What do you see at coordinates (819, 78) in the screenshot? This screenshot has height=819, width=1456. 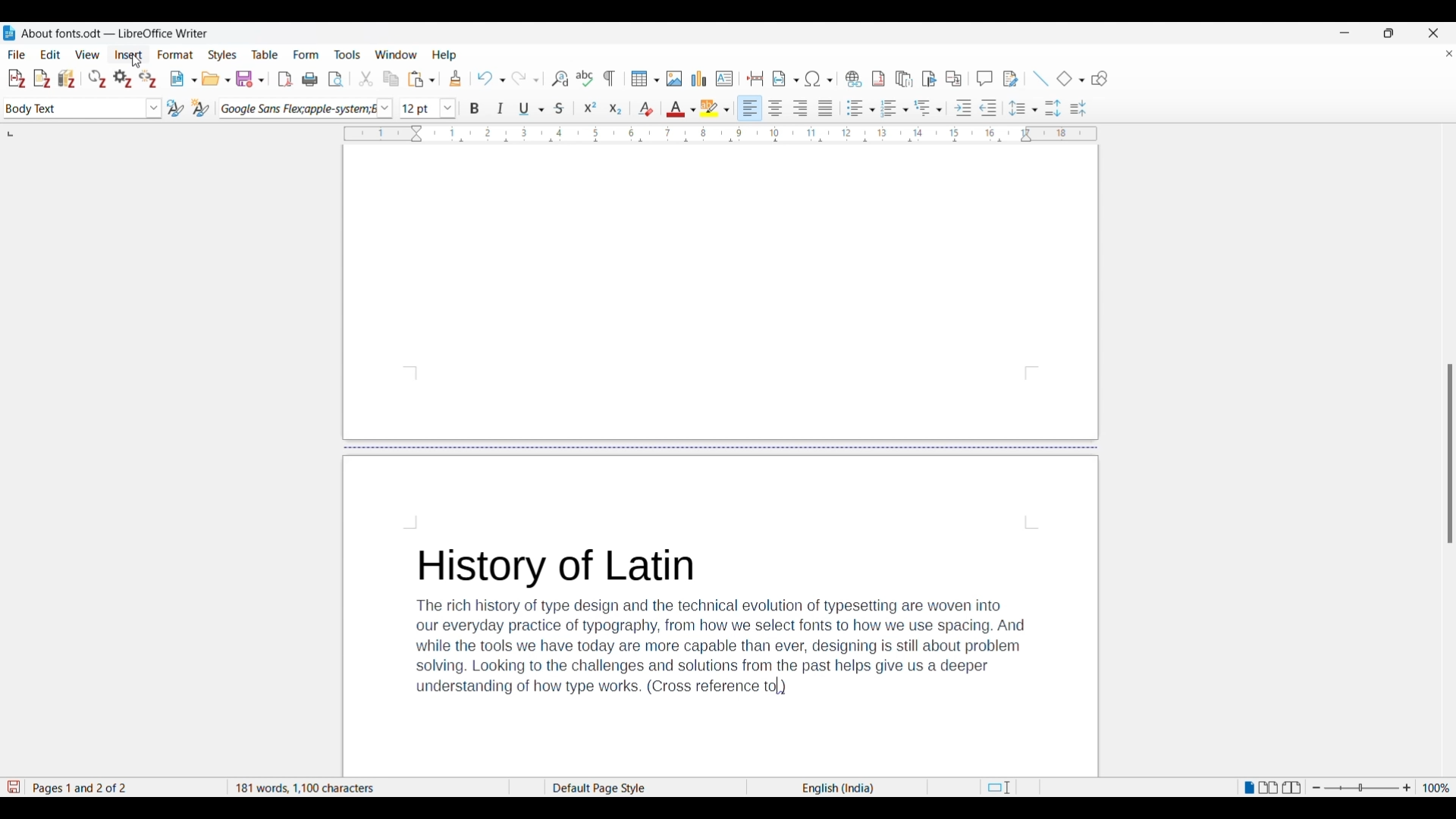 I see `Special character options` at bounding box center [819, 78].